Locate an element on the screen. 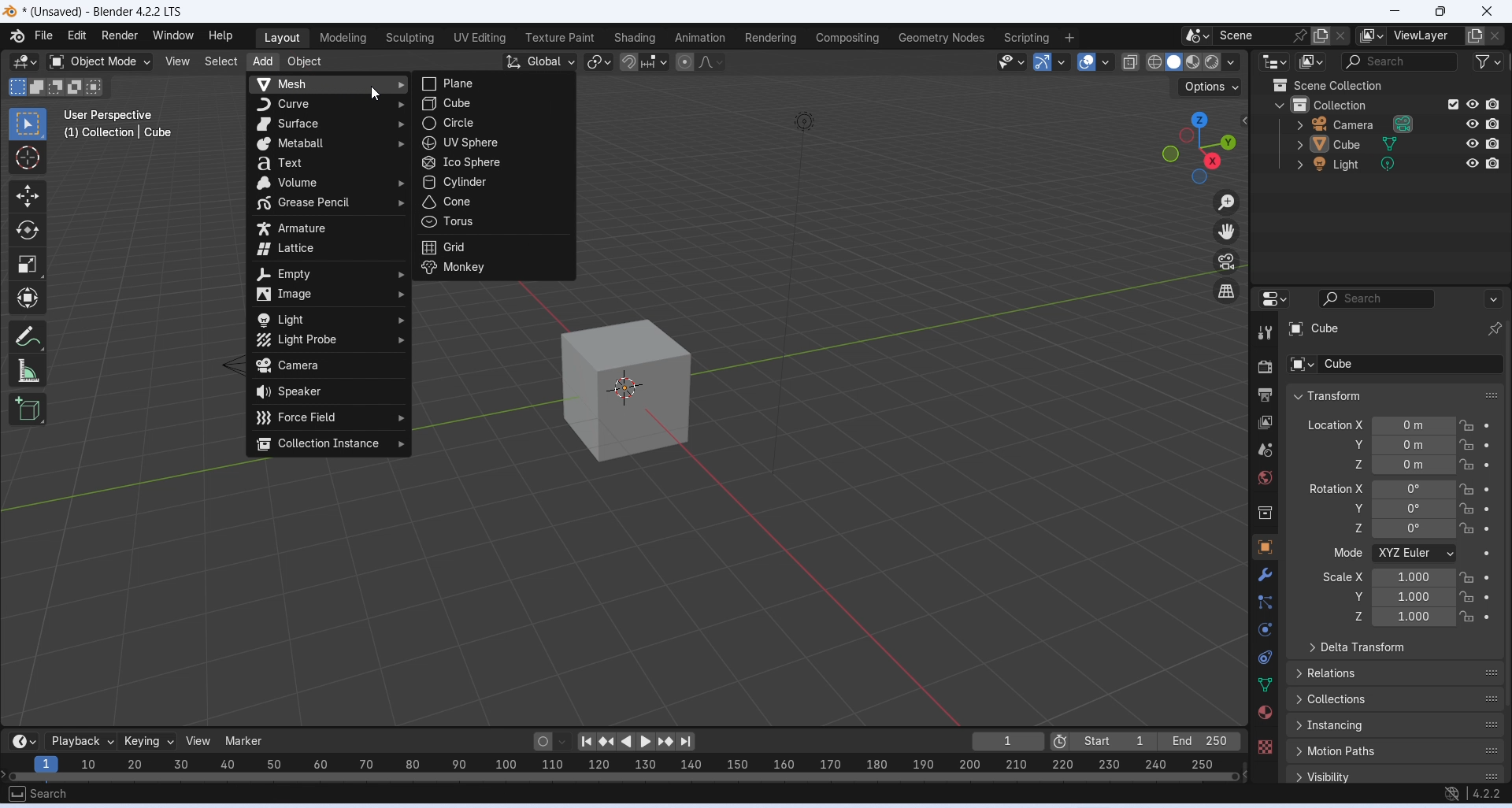 The height and width of the screenshot is (808, 1512). Logo is located at coordinates (10, 13).